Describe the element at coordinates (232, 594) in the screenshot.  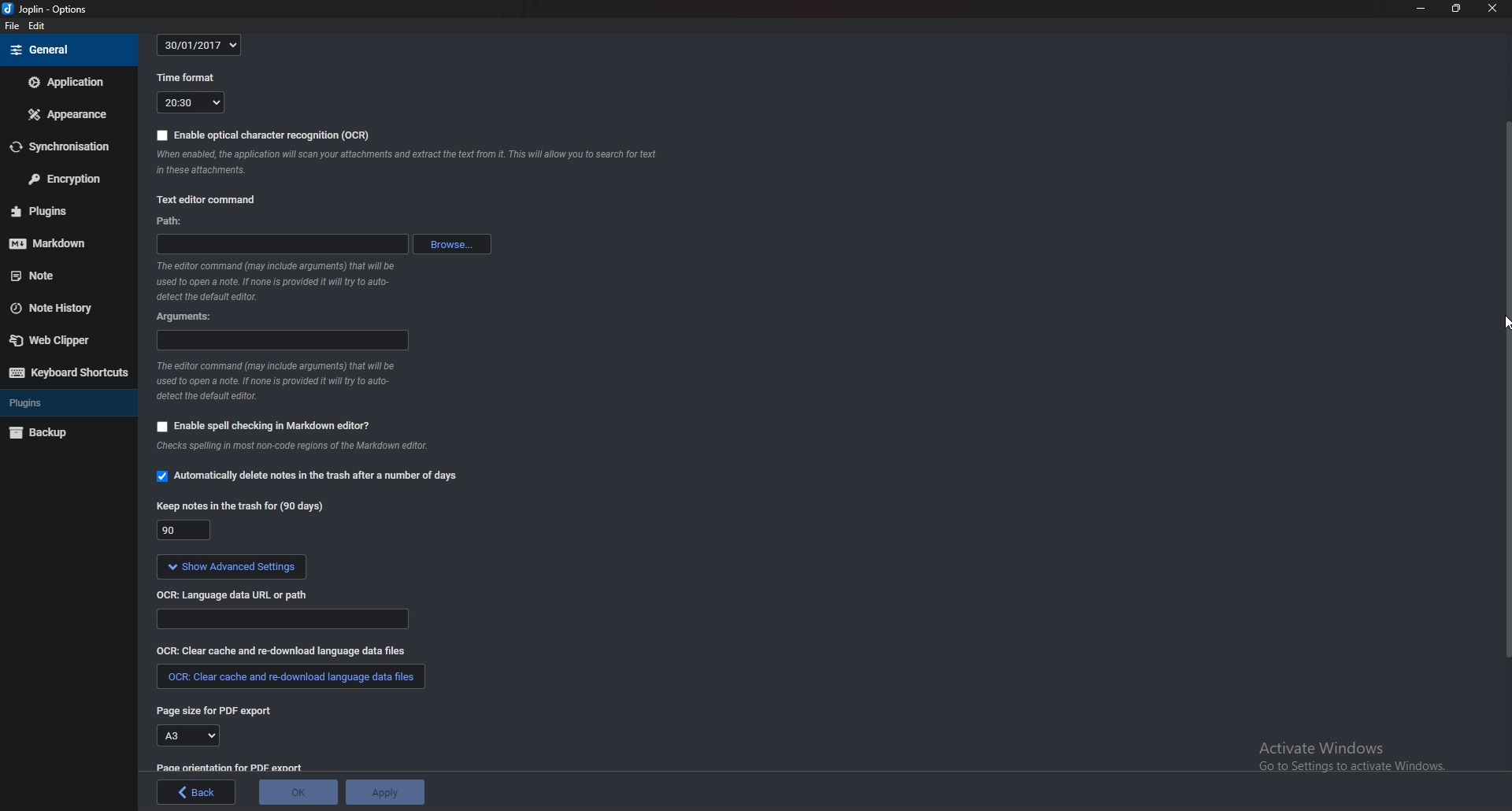
I see `ocr language data url or path` at that location.